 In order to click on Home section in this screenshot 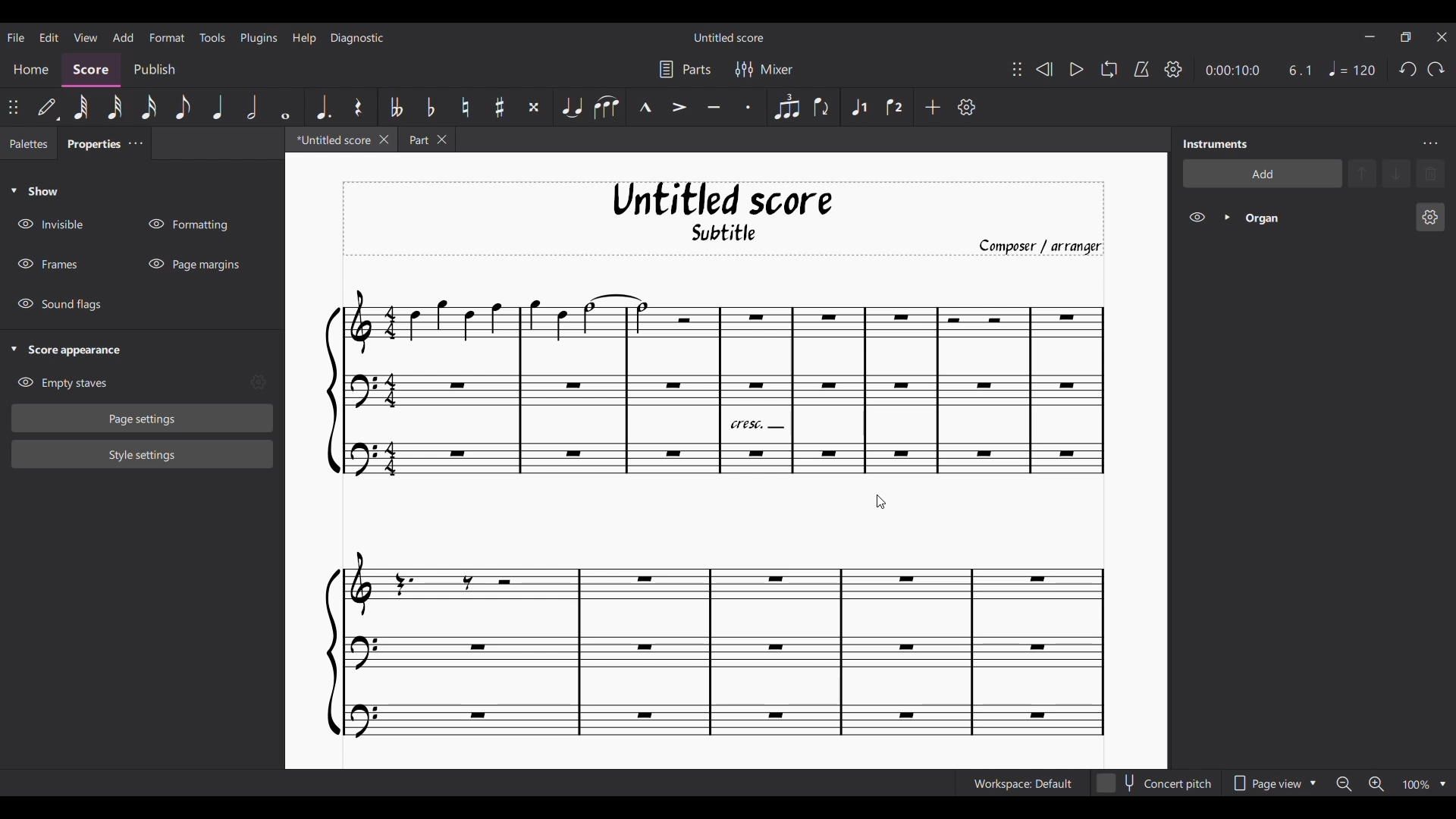, I will do `click(30, 71)`.